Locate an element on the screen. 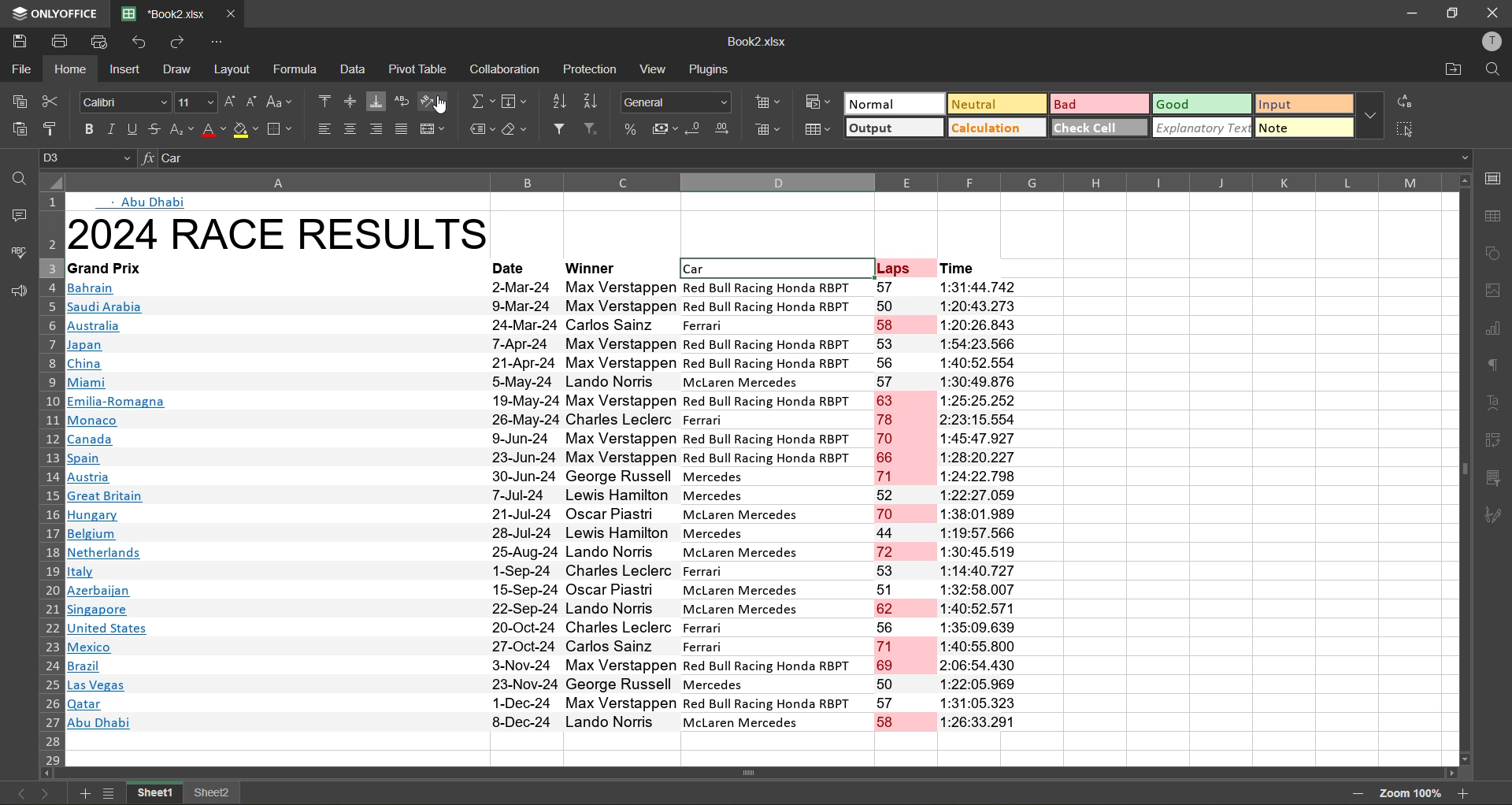  Data is located at coordinates (750, 496).